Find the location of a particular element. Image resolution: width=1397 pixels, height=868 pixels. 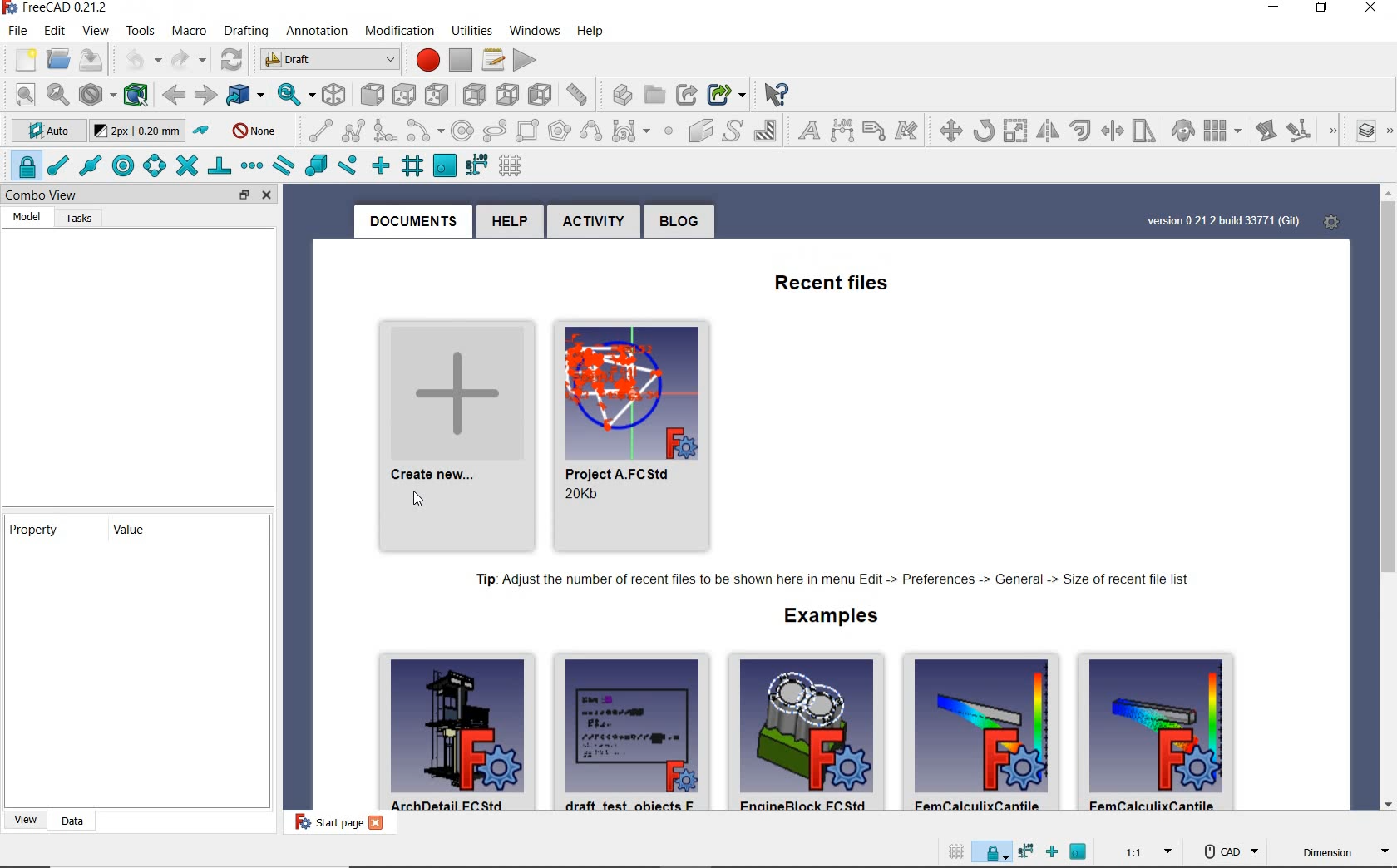

create new is located at coordinates (450, 426).